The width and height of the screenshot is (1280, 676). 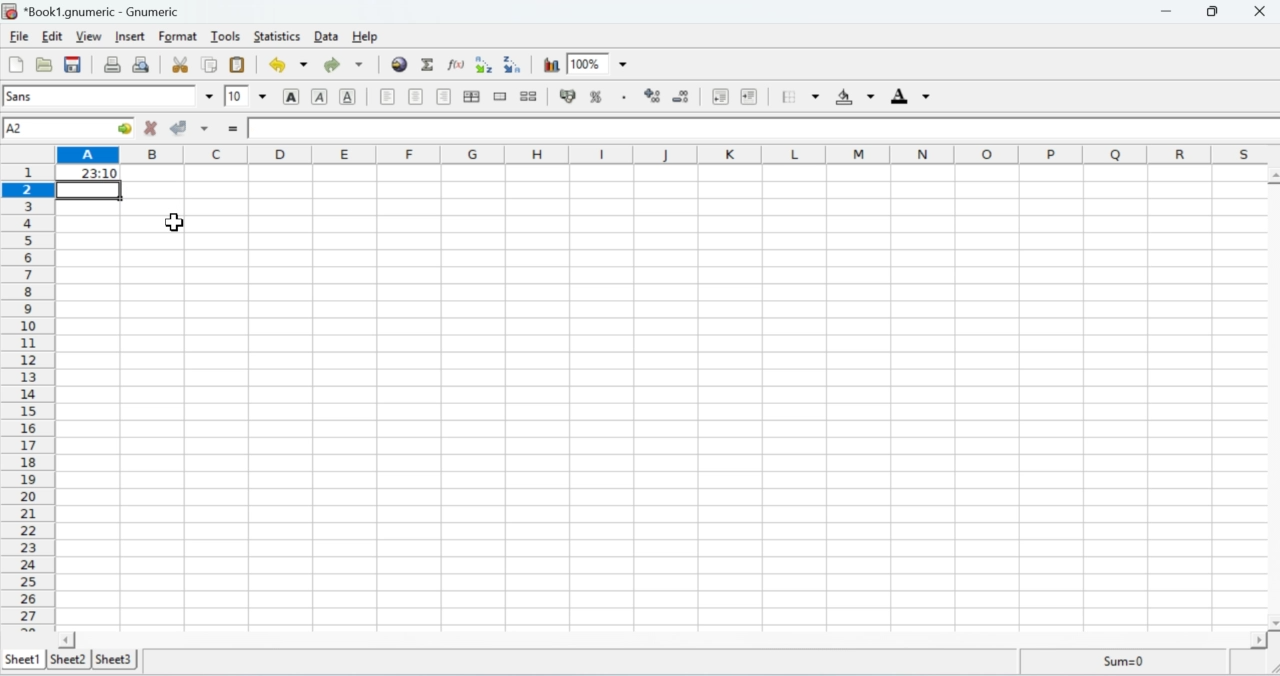 I want to click on Increase the number of decimals displayed, so click(x=650, y=93).